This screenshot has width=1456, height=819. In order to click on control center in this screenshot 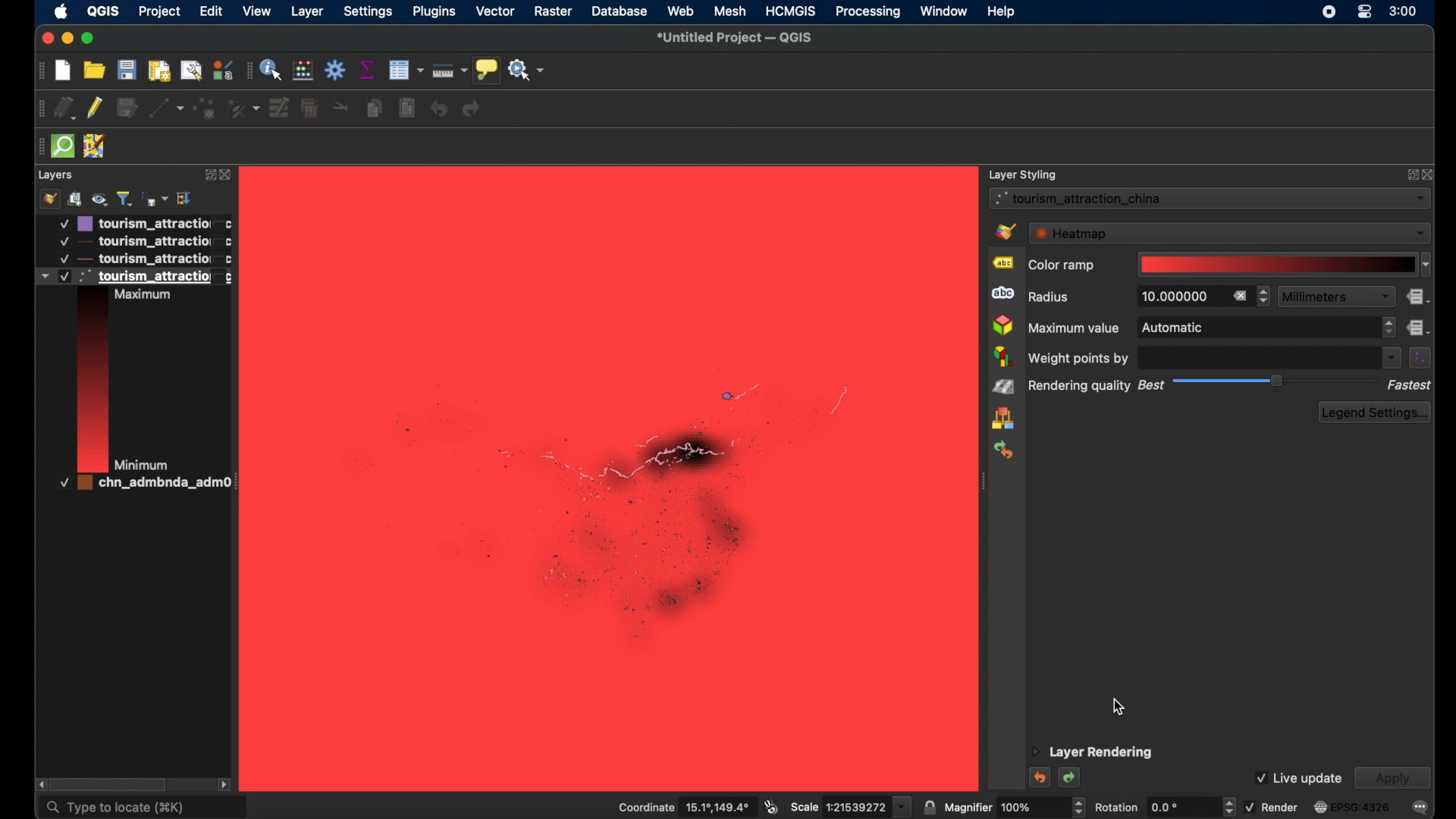, I will do `click(1364, 11)`.